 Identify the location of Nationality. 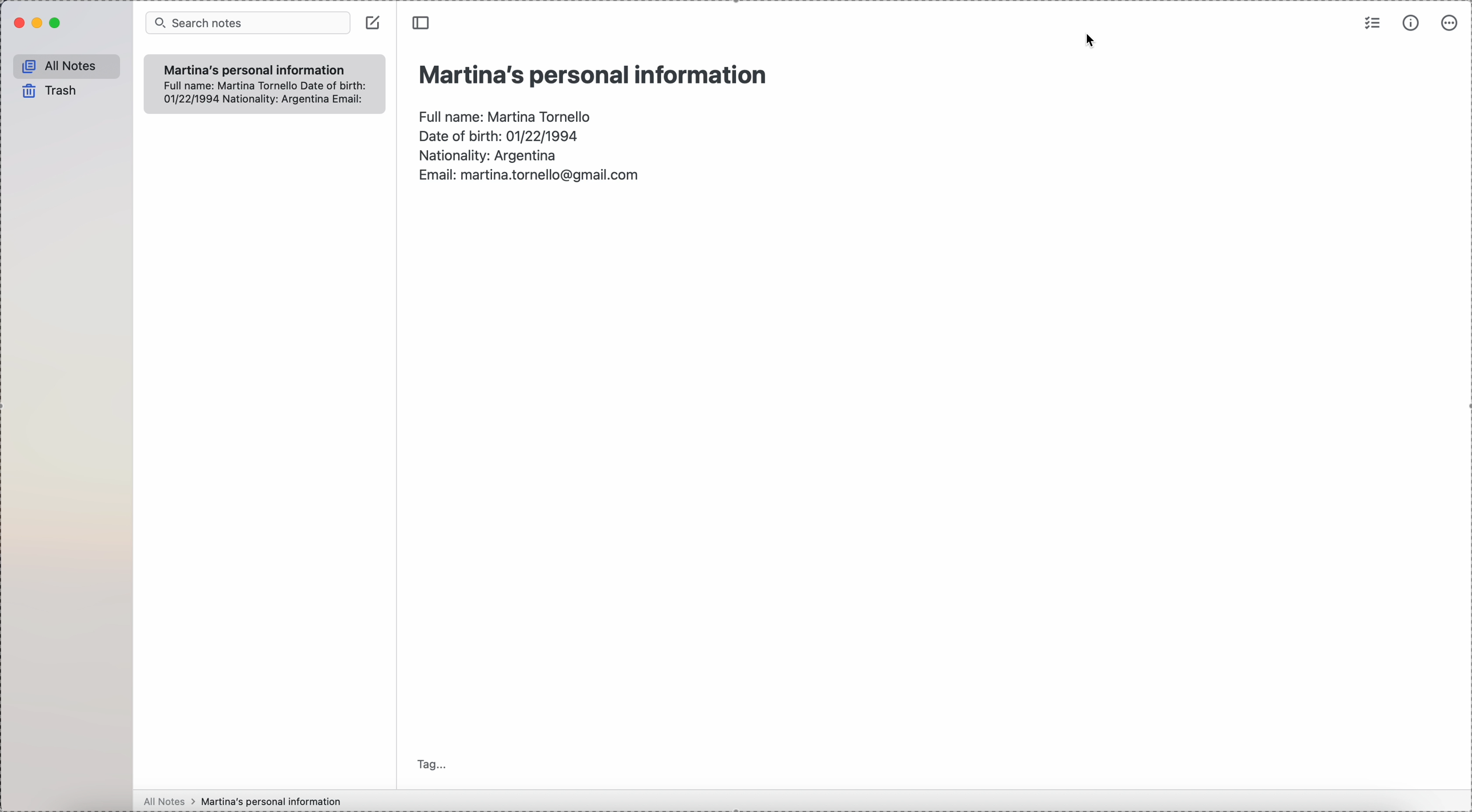
(490, 154).